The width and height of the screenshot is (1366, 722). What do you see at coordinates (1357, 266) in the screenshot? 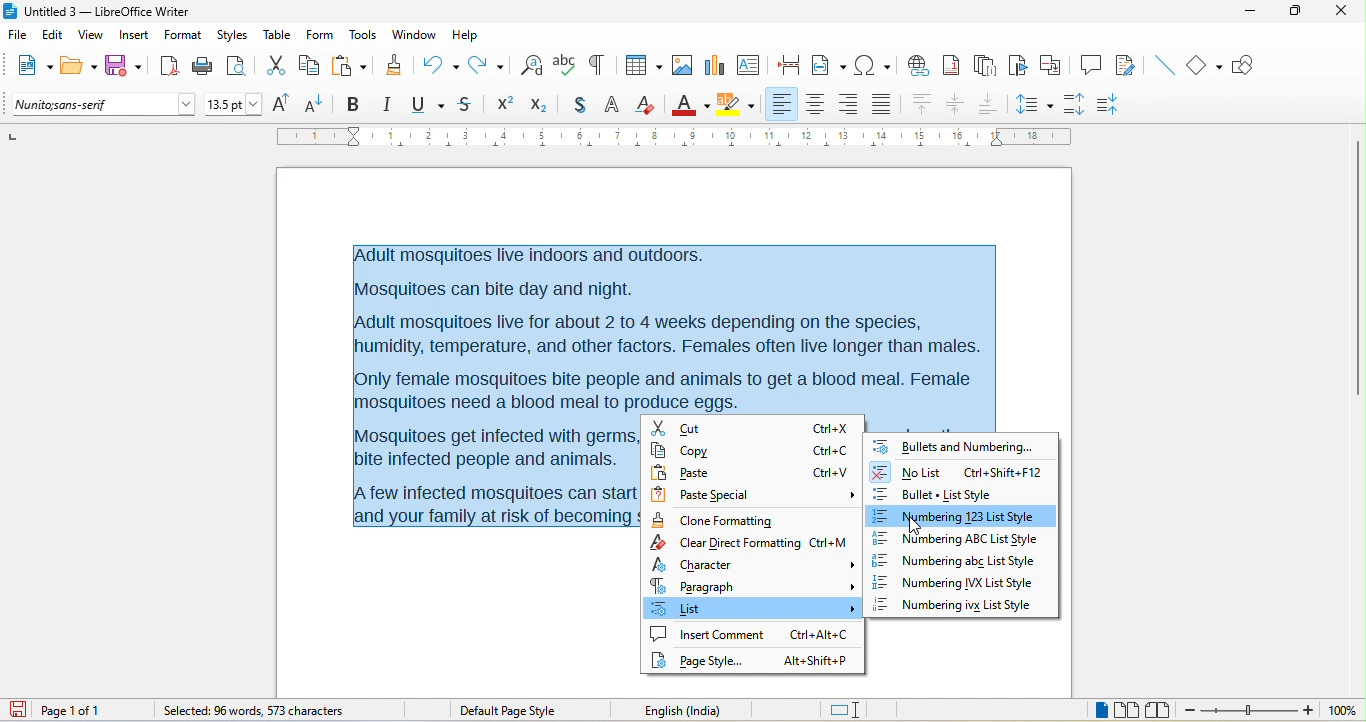
I see `vertical scroll bar` at bounding box center [1357, 266].